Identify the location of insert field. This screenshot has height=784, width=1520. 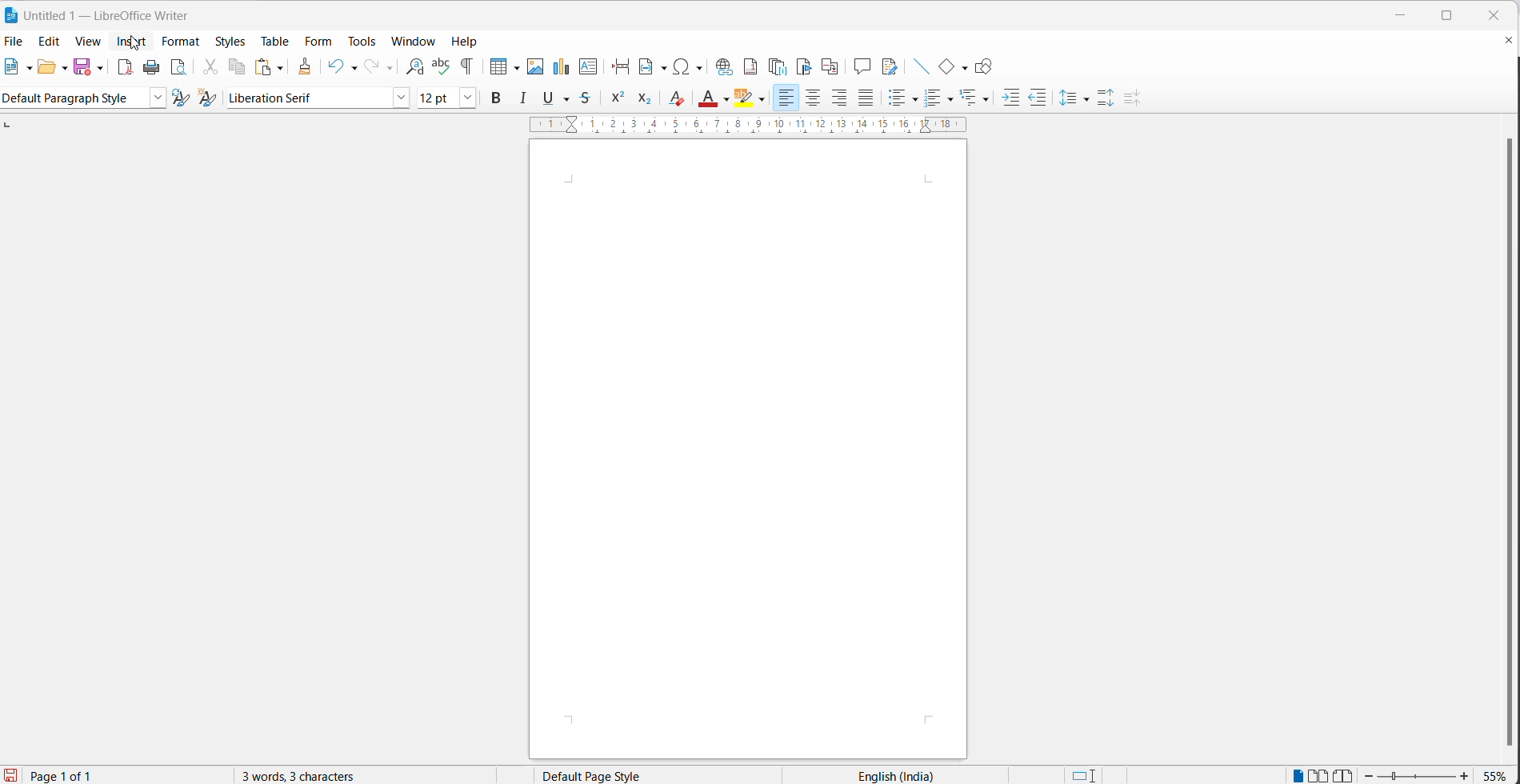
(651, 67).